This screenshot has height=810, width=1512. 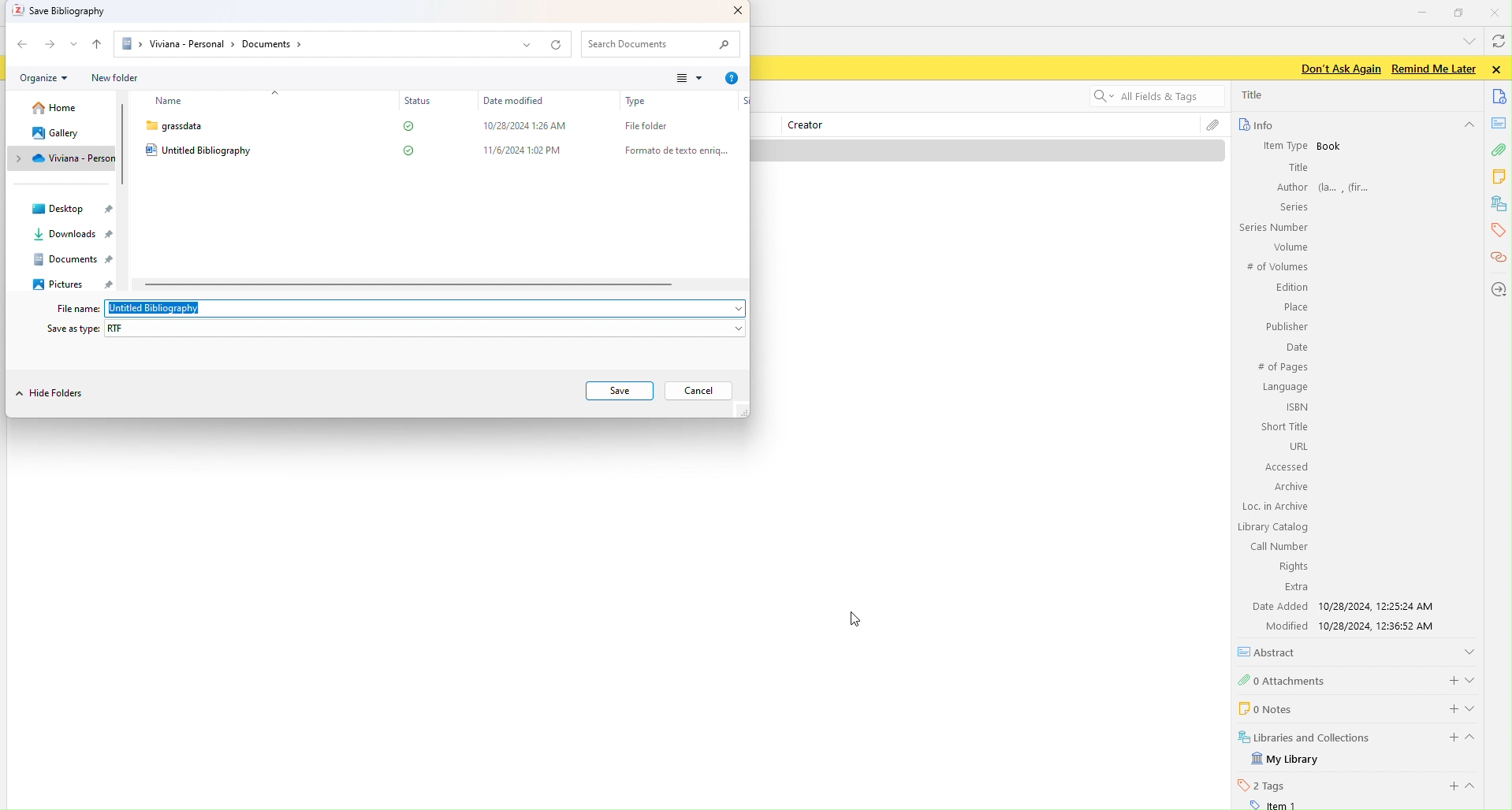 What do you see at coordinates (1468, 126) in the screenshot?
I see `hide` at bounding box center [1468, 126].